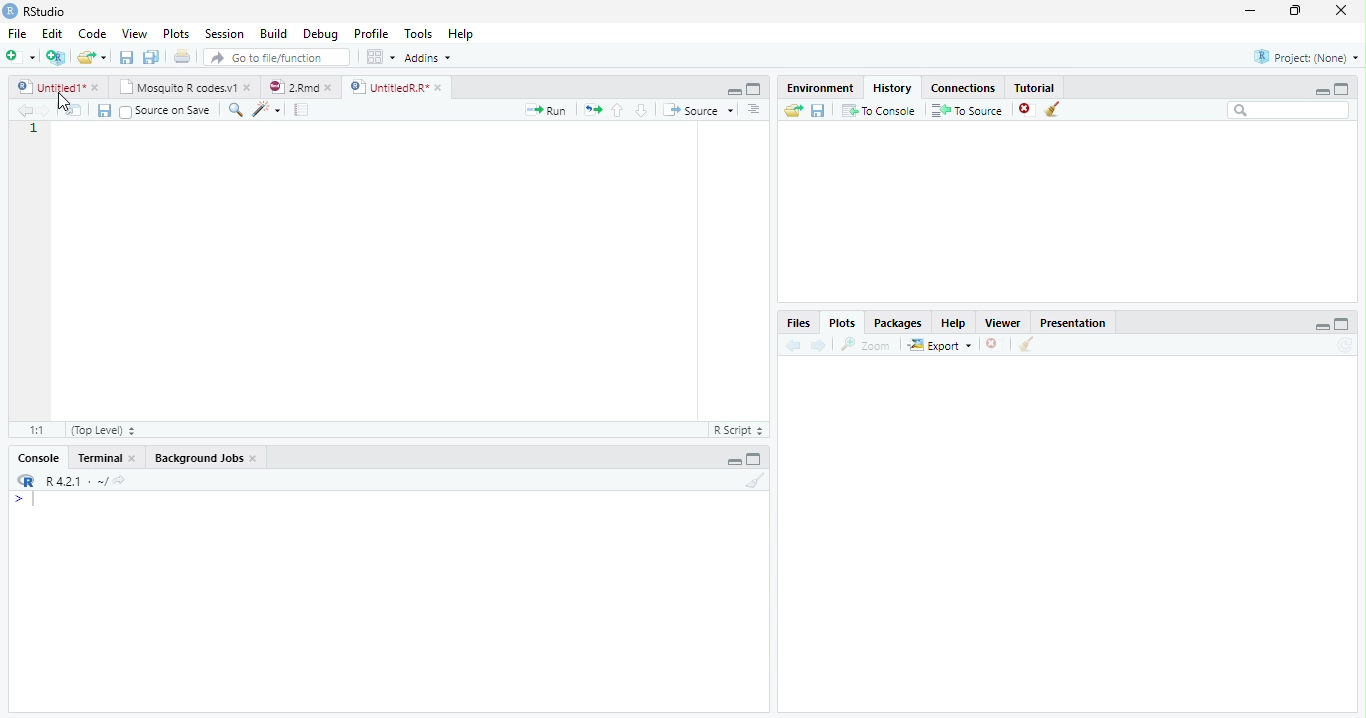 The height and width of the screenshot is (718, 1366). What do you see at coordinates (1321, 91) in the screenshot?
I see `Minimize` at bounding box center [1321, 91].